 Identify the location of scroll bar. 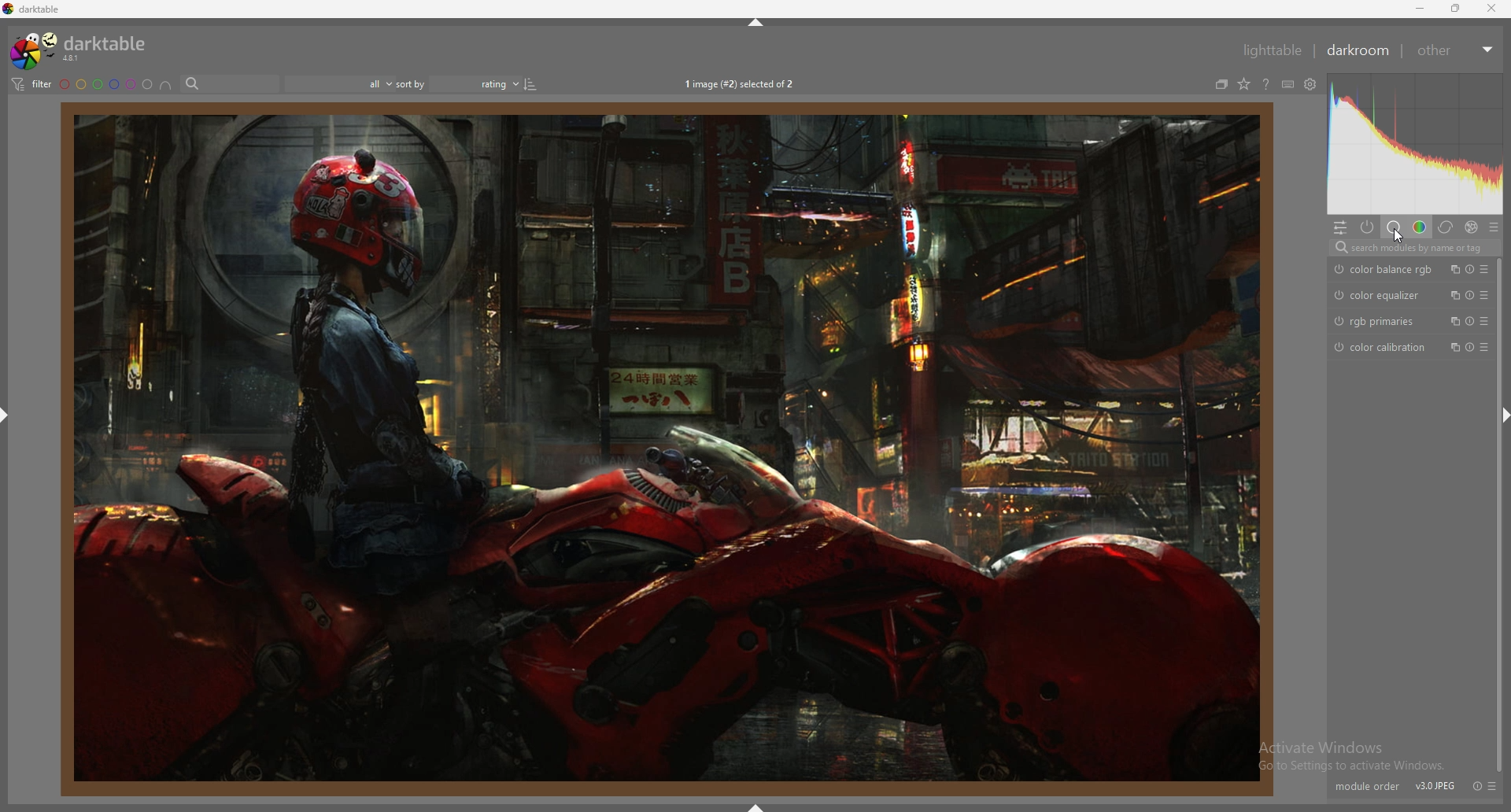
(1499, 515).